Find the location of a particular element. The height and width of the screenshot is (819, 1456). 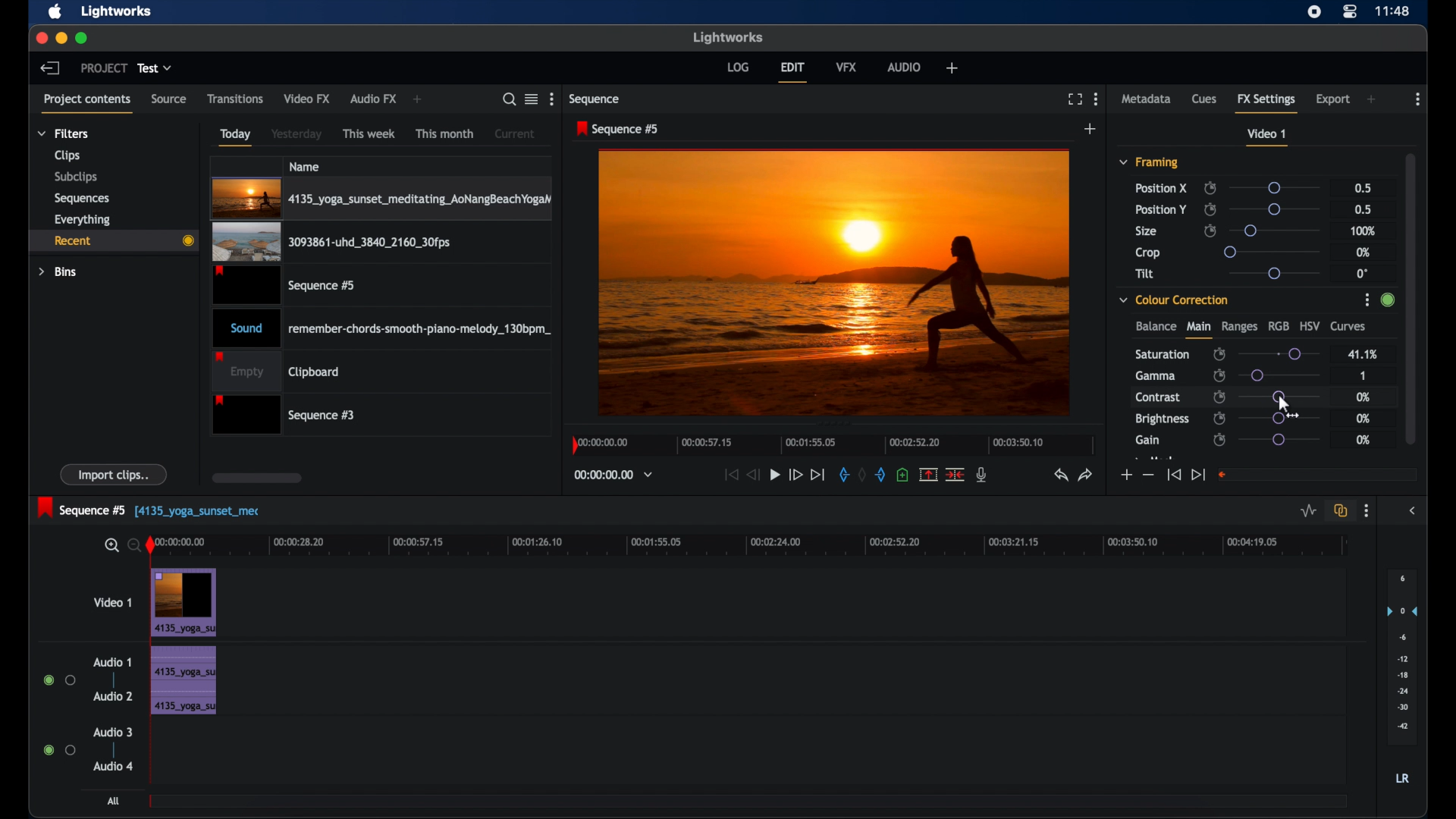

0% is located at coordinates (1364, 419).